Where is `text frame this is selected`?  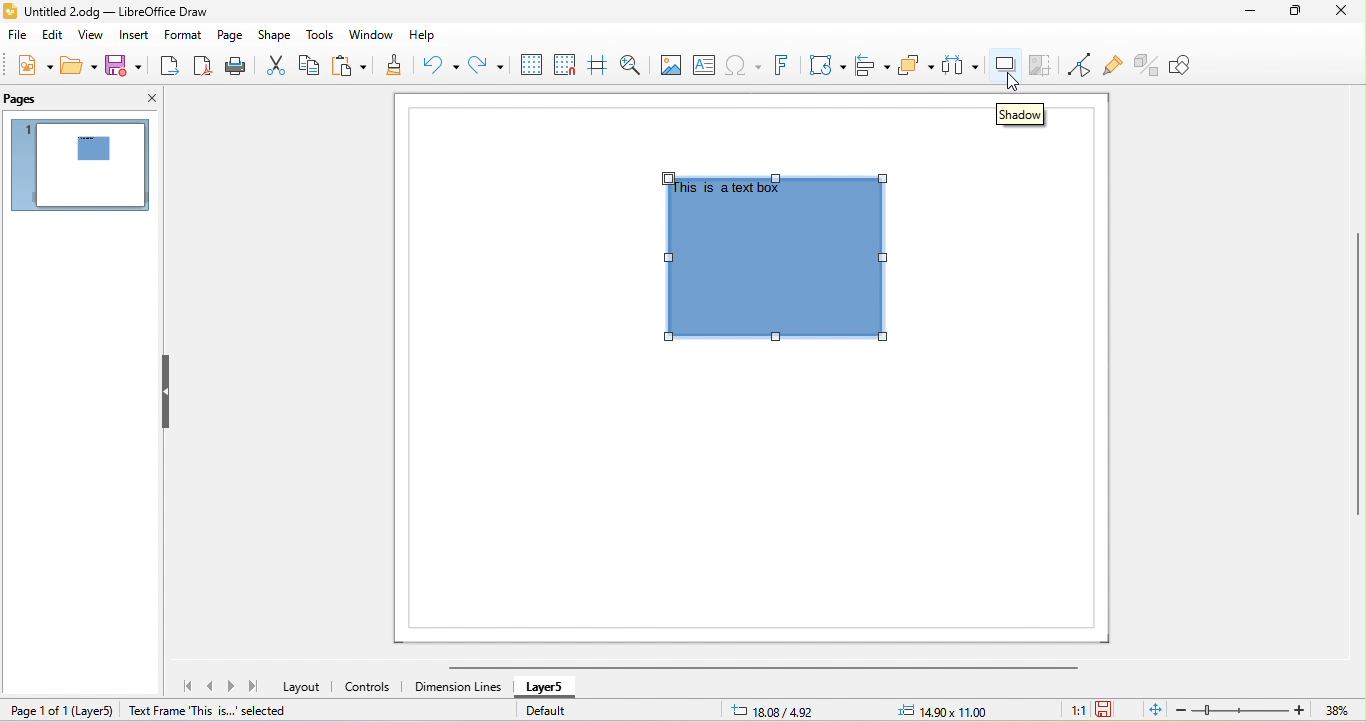
text frame this is selected is located at coordinates (205, 711).